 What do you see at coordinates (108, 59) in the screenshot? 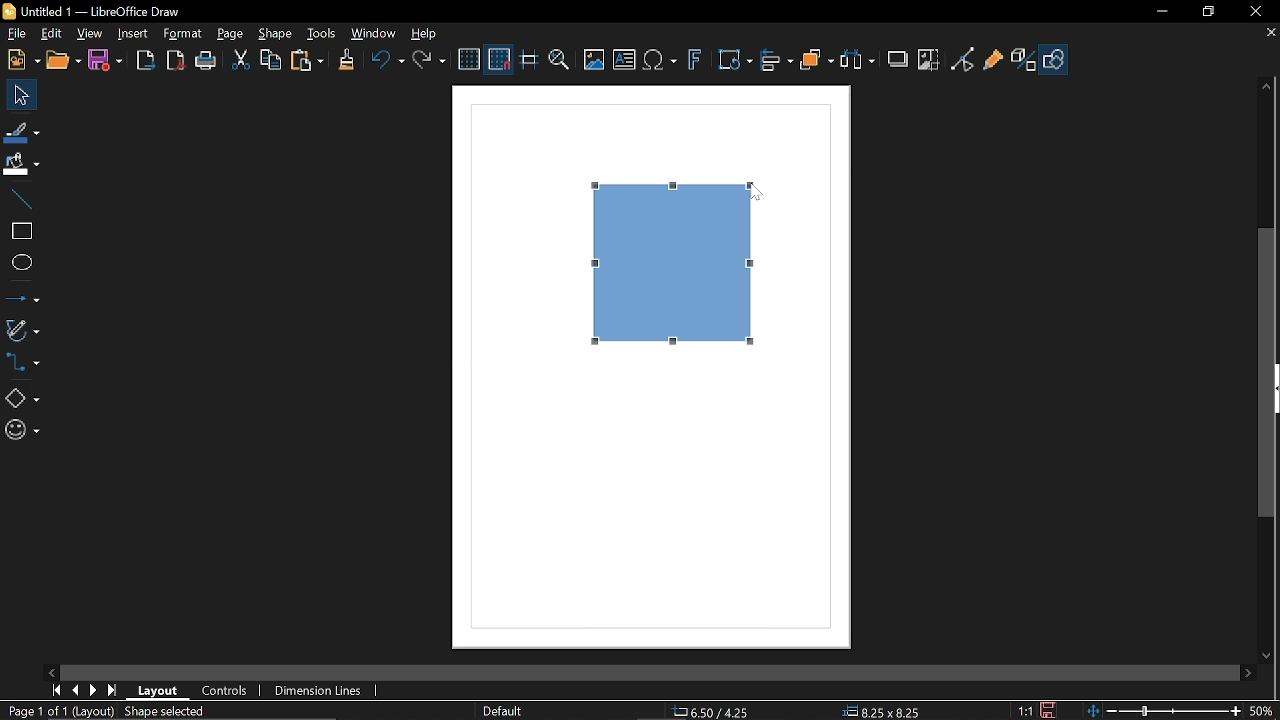
I see `Save` at bounding box center [108, 59].